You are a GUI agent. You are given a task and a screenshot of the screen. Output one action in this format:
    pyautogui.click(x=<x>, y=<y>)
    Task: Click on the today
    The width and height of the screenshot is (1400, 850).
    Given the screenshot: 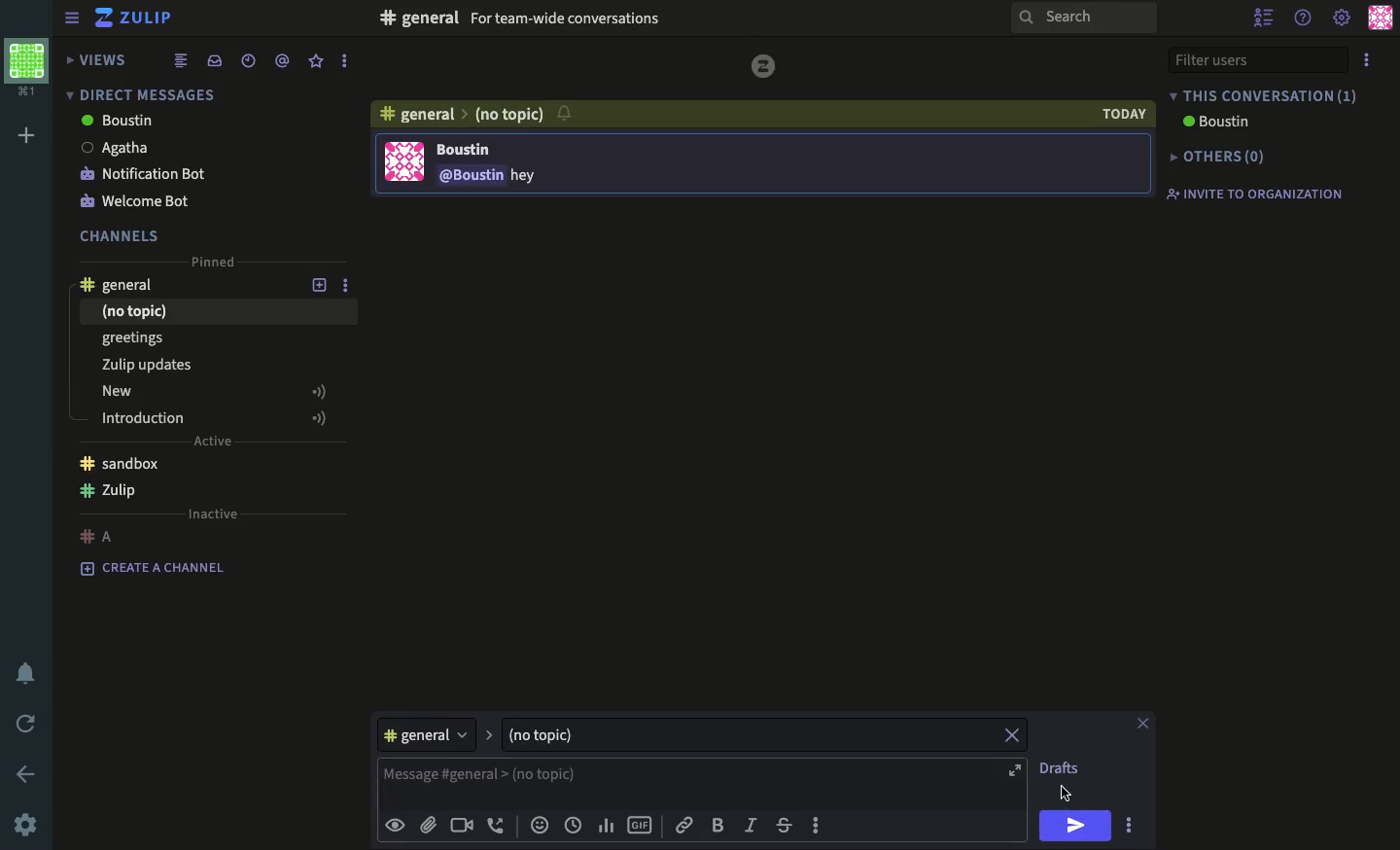 What is the action you would take?
    pyautogui.click(x=1125, y=114)
    